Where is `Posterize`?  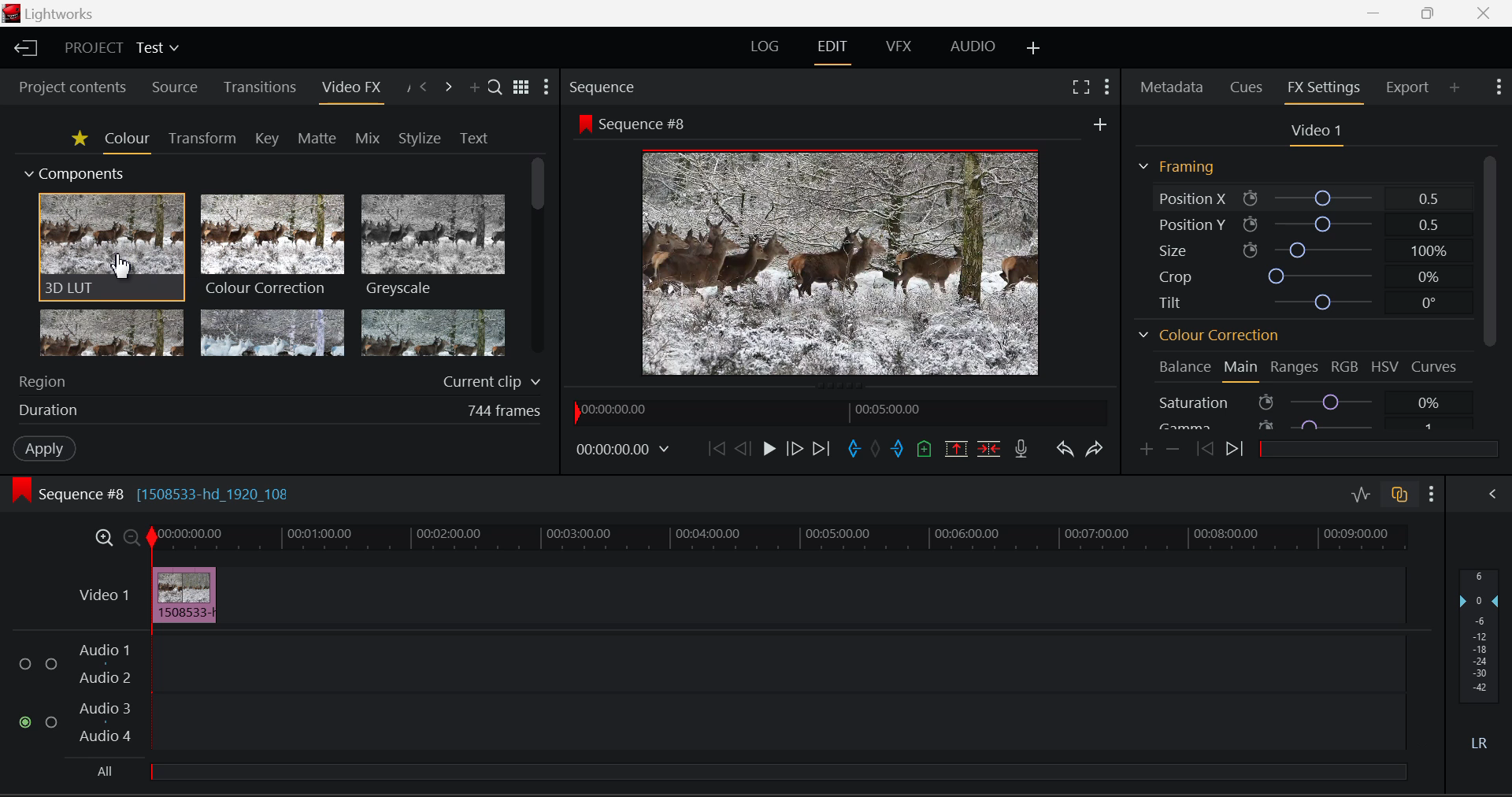
Posterize is located at coordinates (434, 334).